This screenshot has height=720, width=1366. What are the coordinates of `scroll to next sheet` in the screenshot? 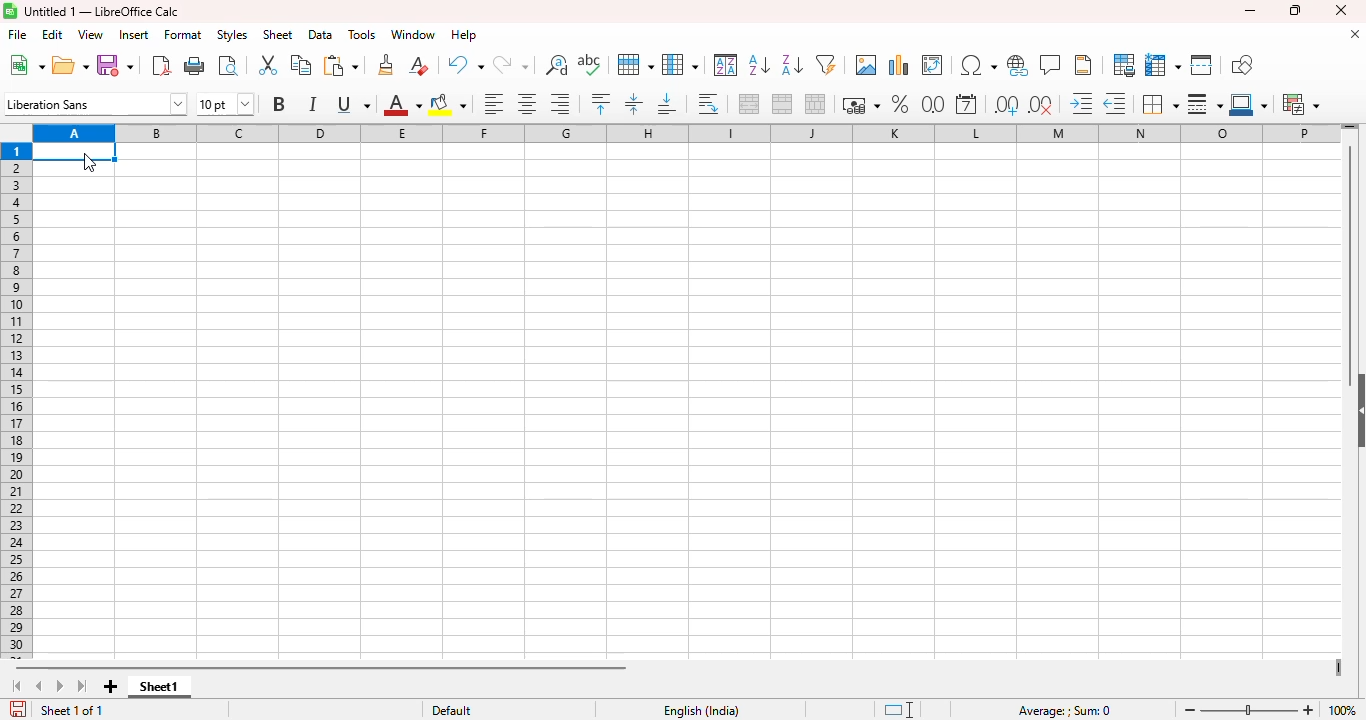 It's located at (60, 685).